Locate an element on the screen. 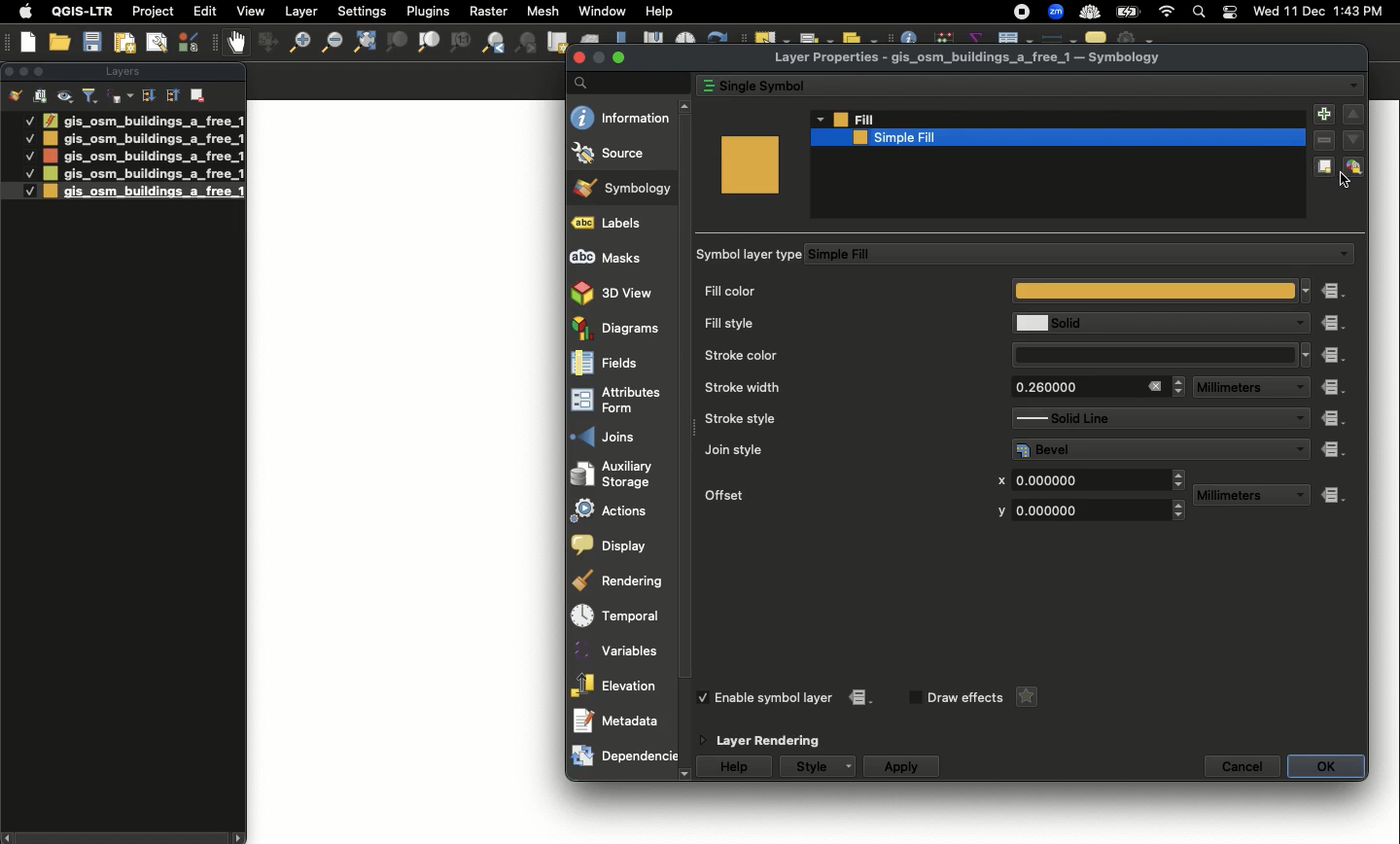 The width and height of the screenshot is (1400, 844).  is located at coordinates (861, 697).